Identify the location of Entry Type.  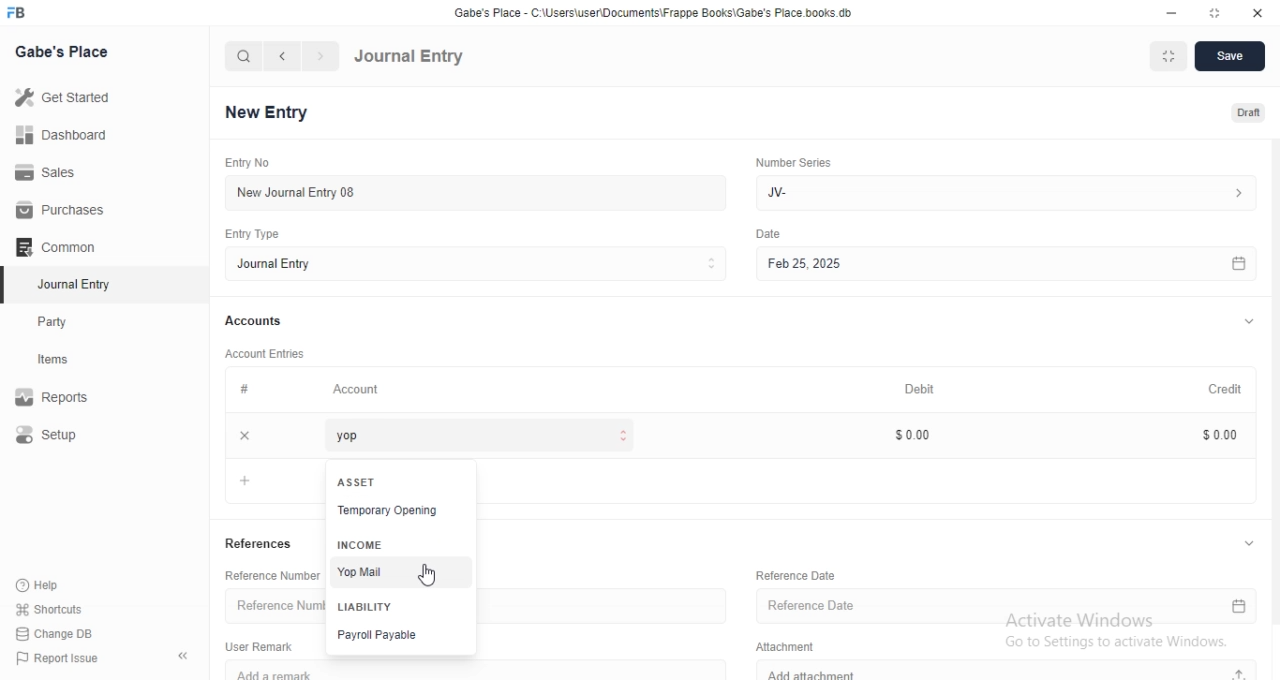
(250, 234).